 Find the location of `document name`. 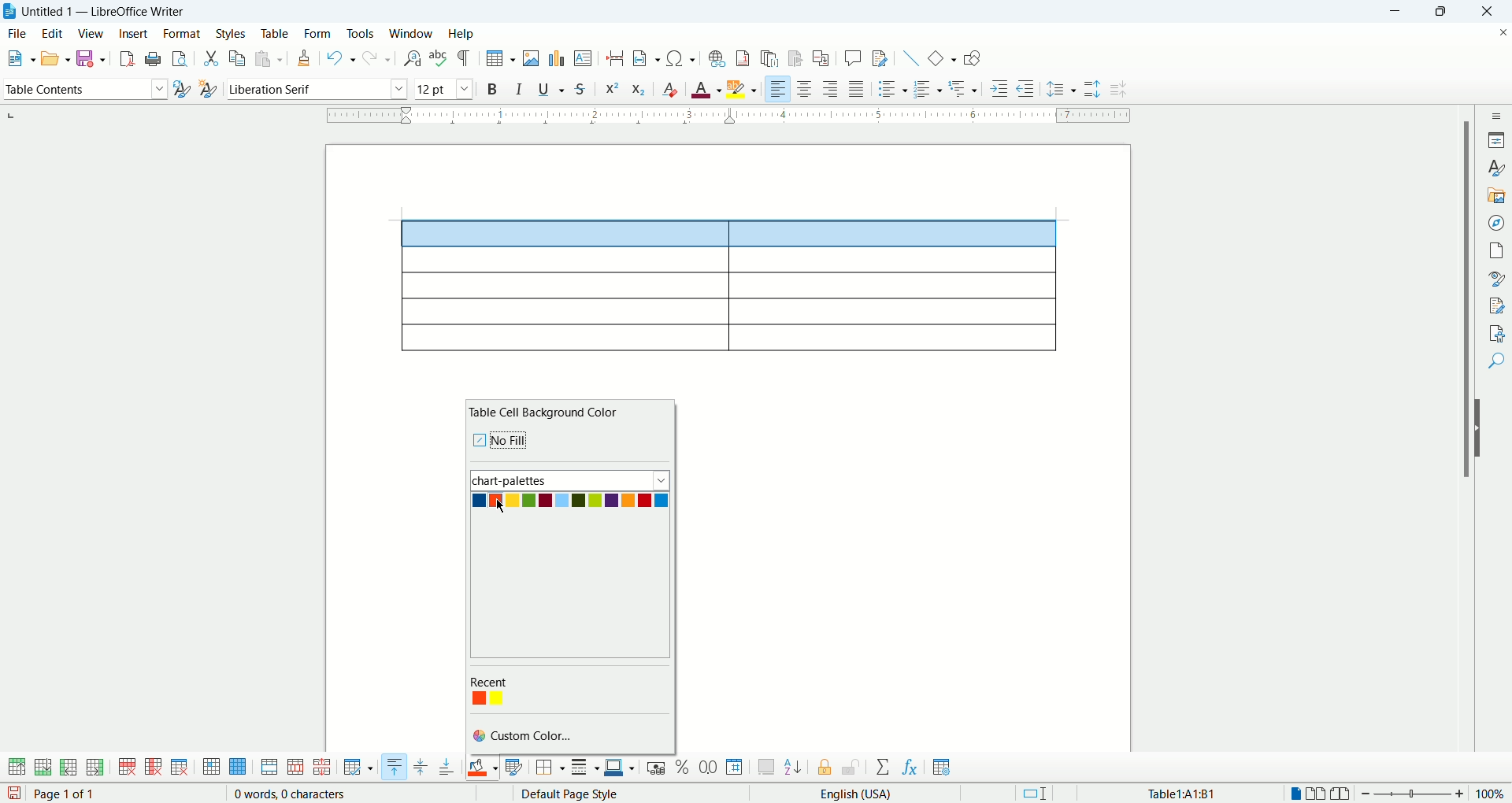

document name is located at coordinates (113, 12).